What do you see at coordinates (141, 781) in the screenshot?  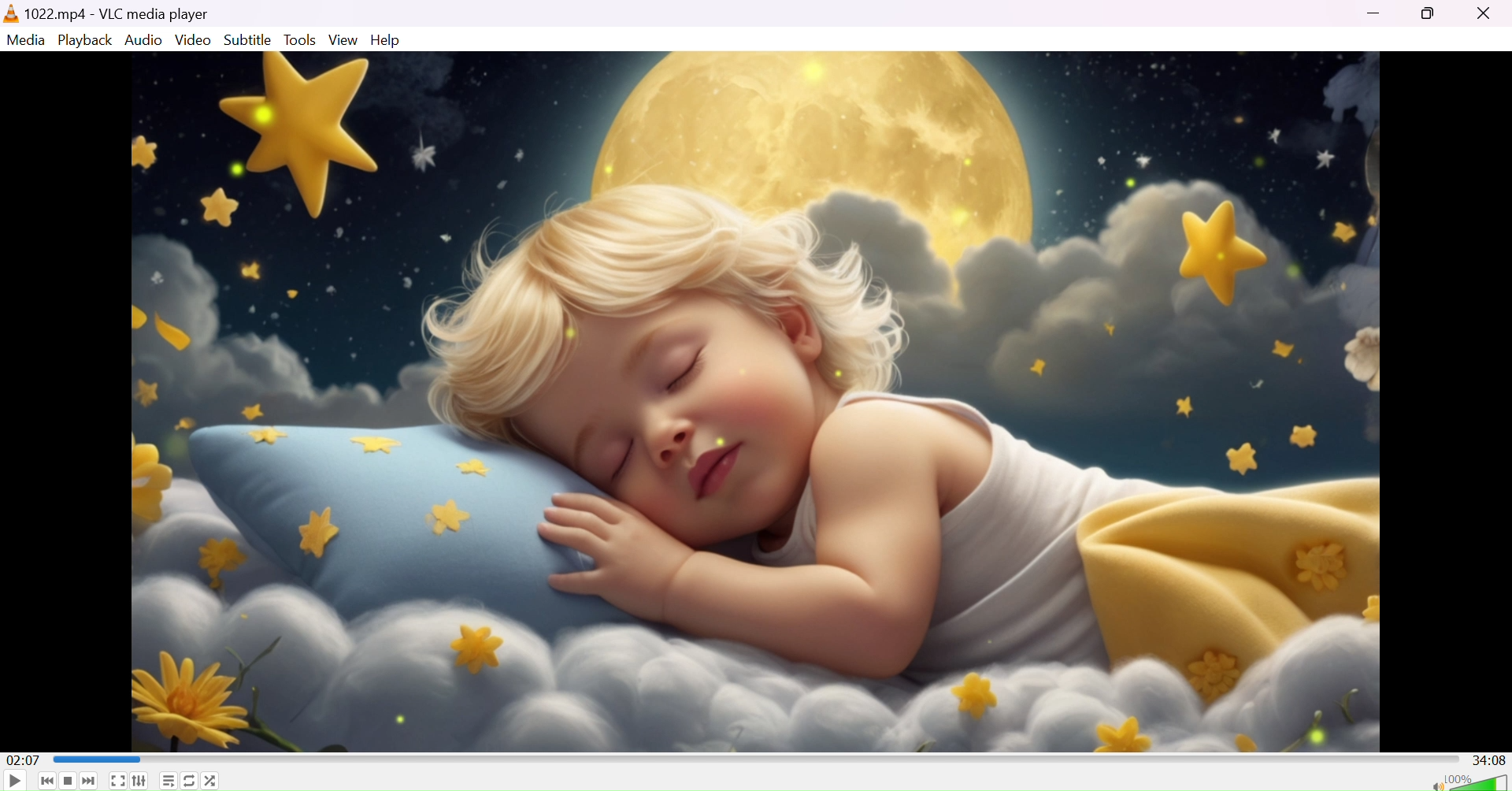 I see `Show extended settings` at bounding box center [141, 781].